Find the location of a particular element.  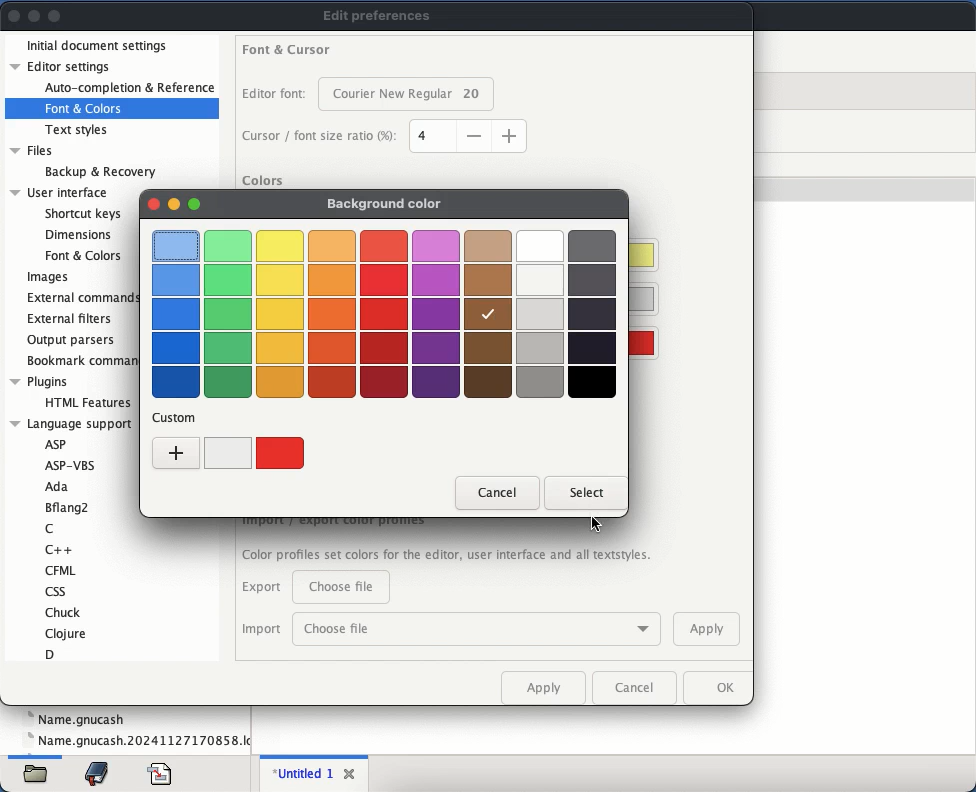

Dimensions is located at coordinates (77, 233).